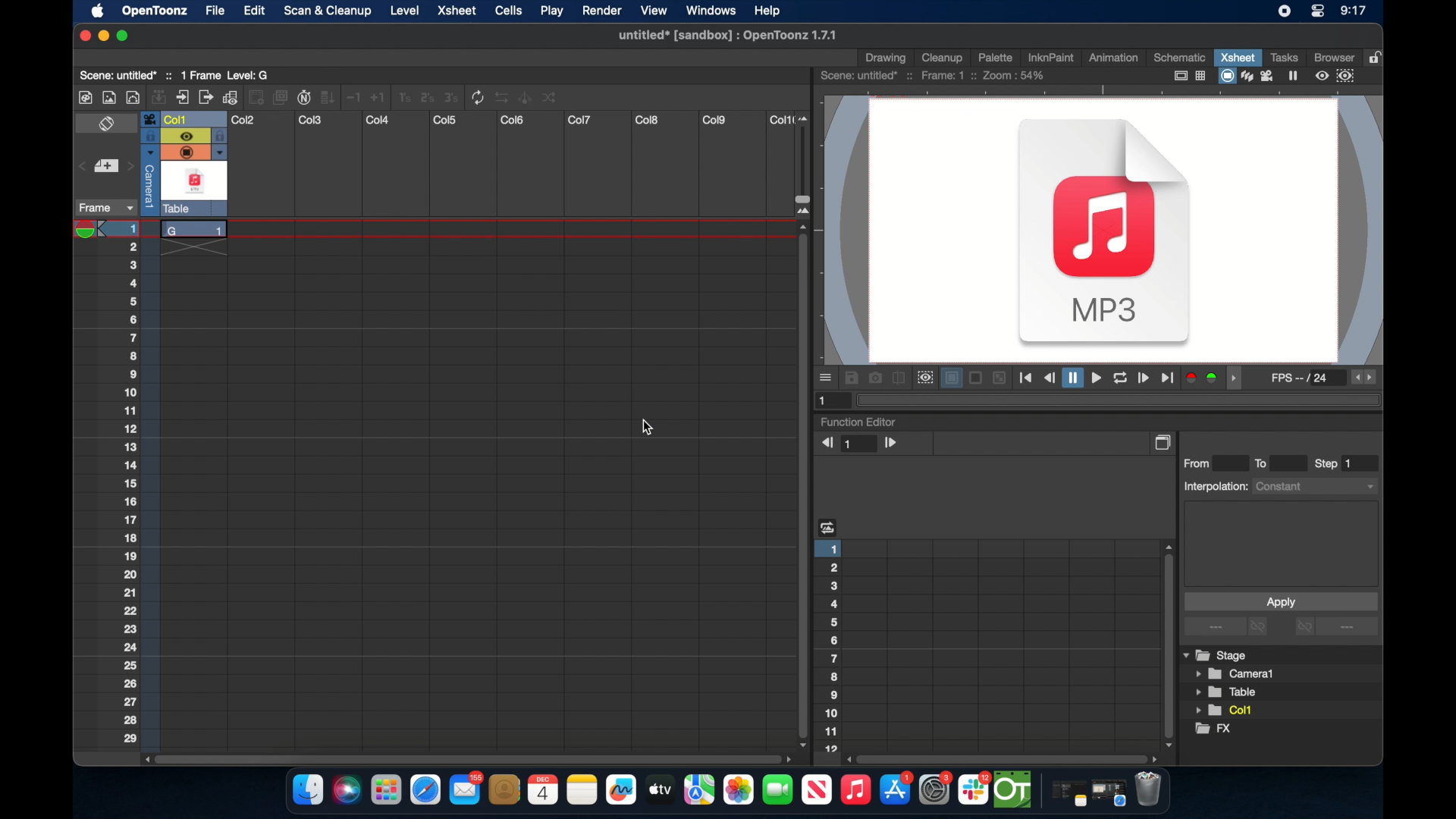  I want to click on animation, so click(1114, 58).